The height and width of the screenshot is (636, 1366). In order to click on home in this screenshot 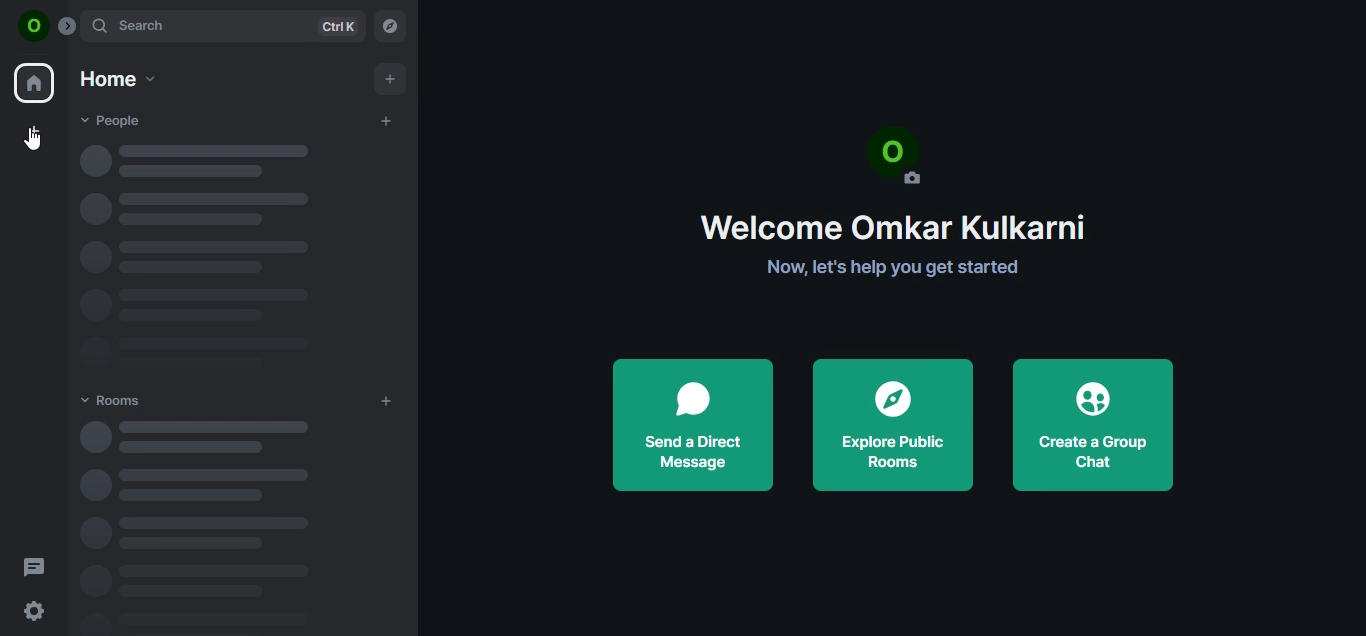, I will do `click(37, 84)`.